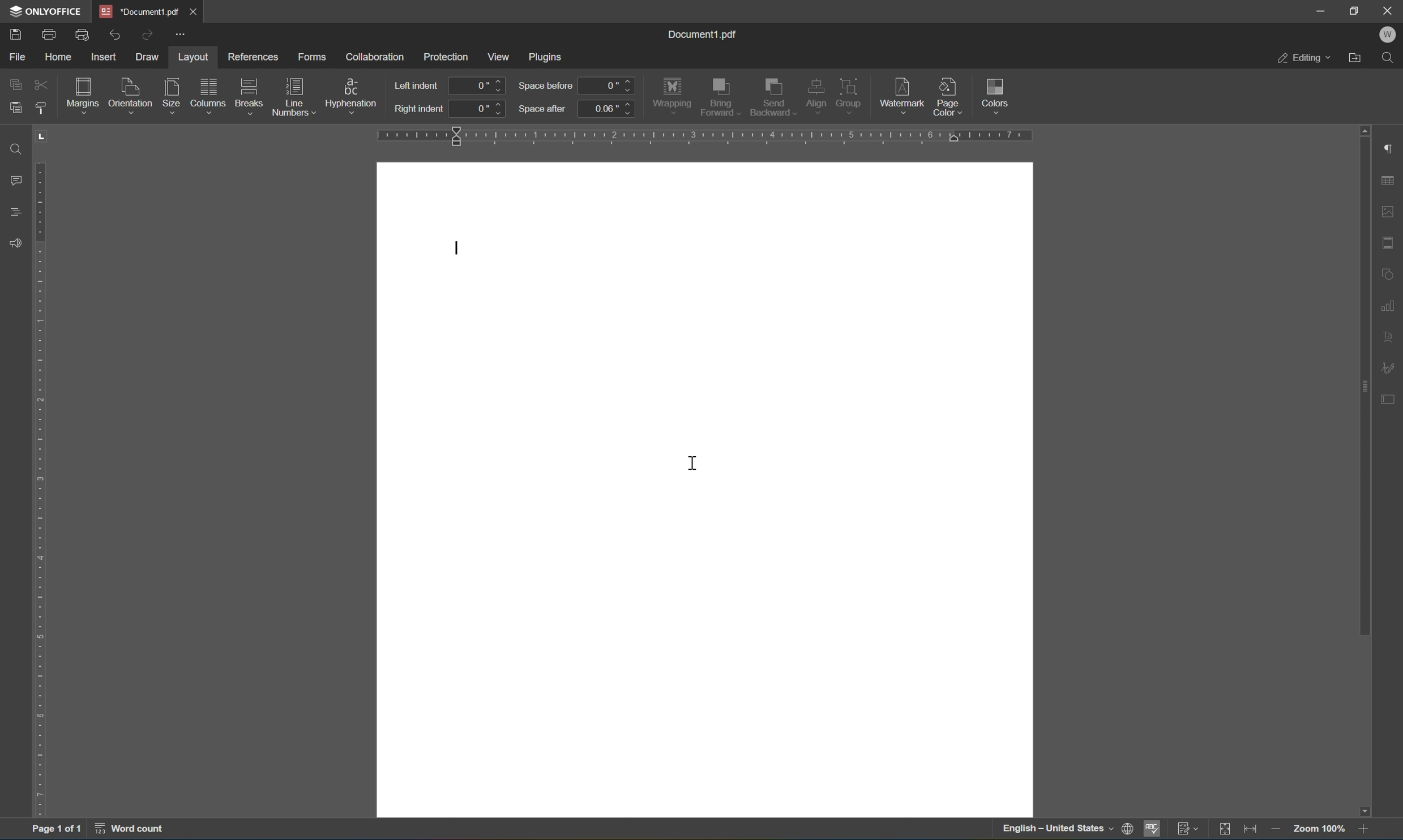 This screenshot has width=1403, height=840. I want to click on colaboration, so click(375, 55).